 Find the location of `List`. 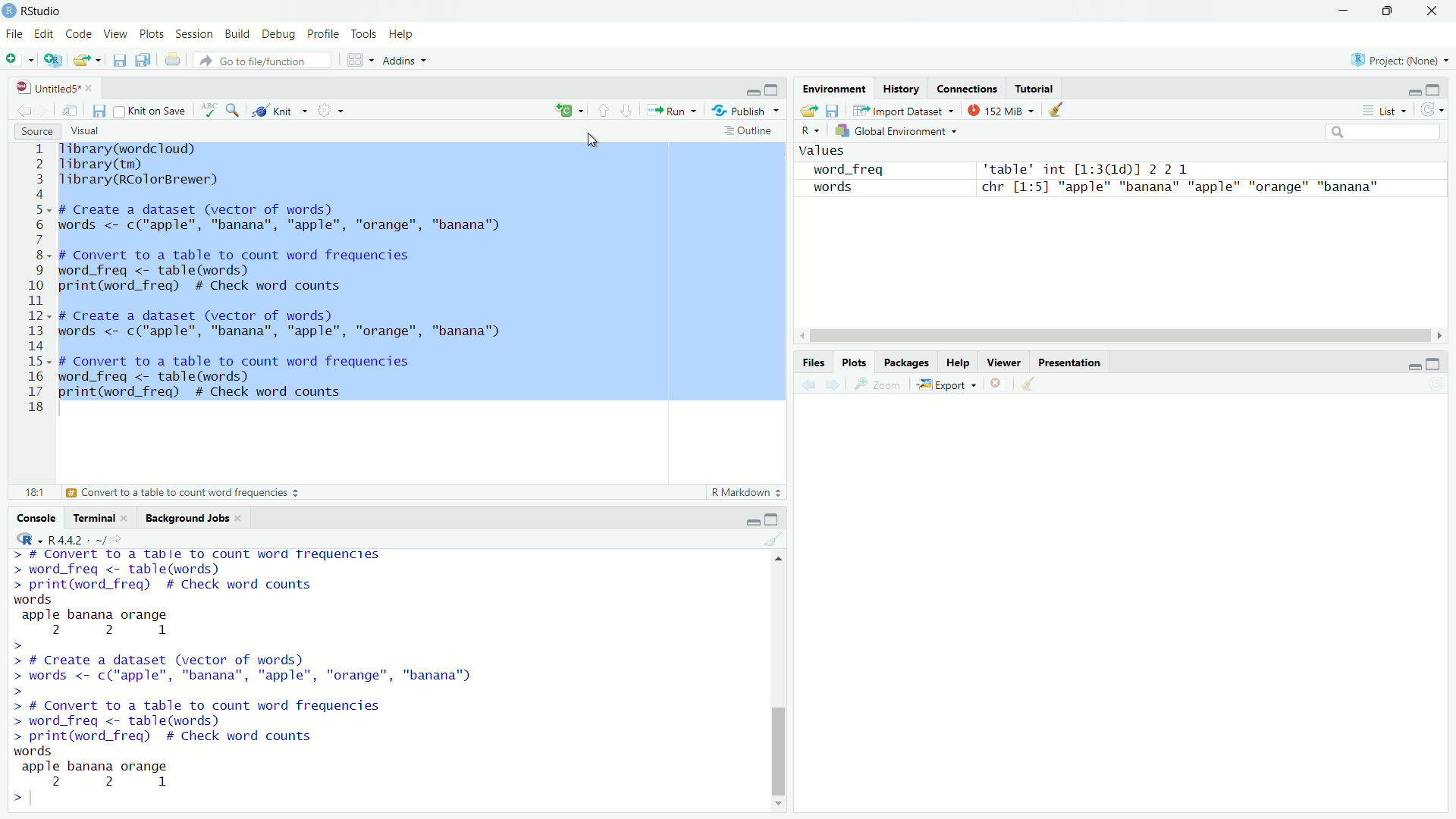

List is located at coordinates (1386, 111).